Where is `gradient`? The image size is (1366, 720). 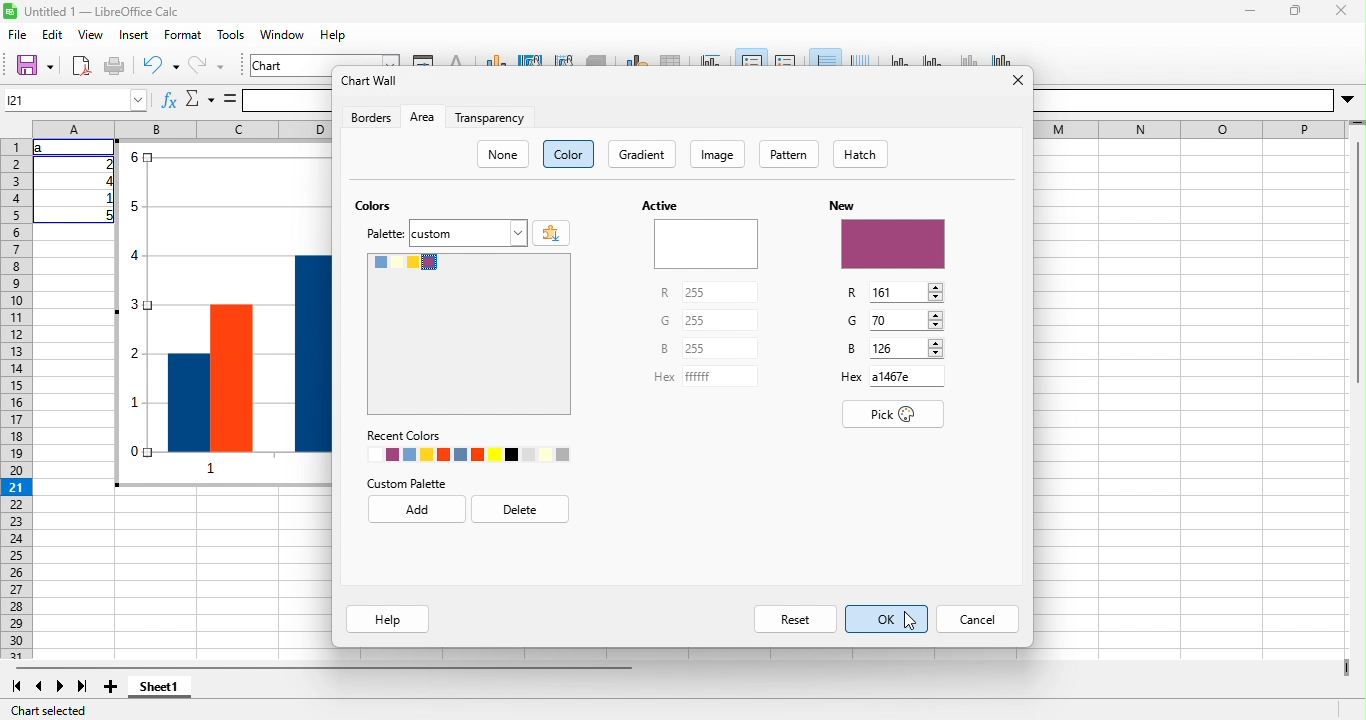
gradient is located at coordinates (642, 154).